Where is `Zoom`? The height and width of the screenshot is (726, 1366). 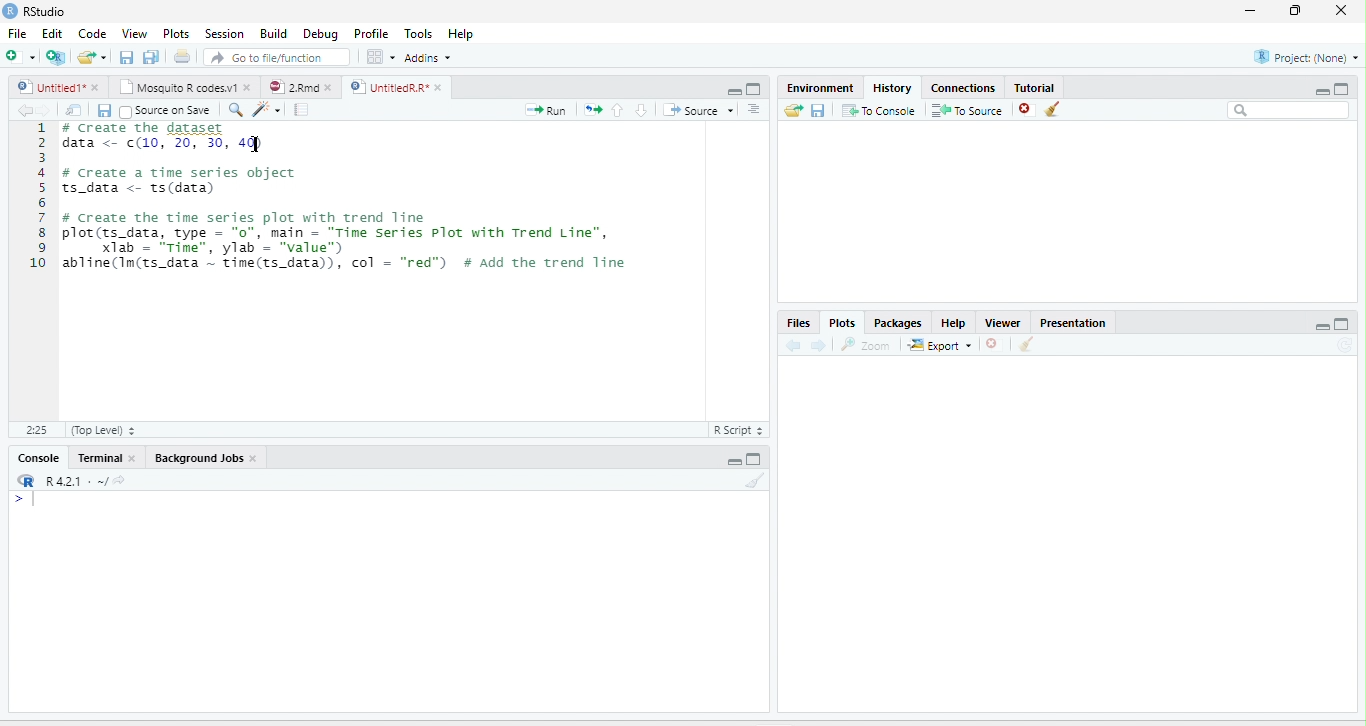
Zoom is located at coordinates (867, 344).